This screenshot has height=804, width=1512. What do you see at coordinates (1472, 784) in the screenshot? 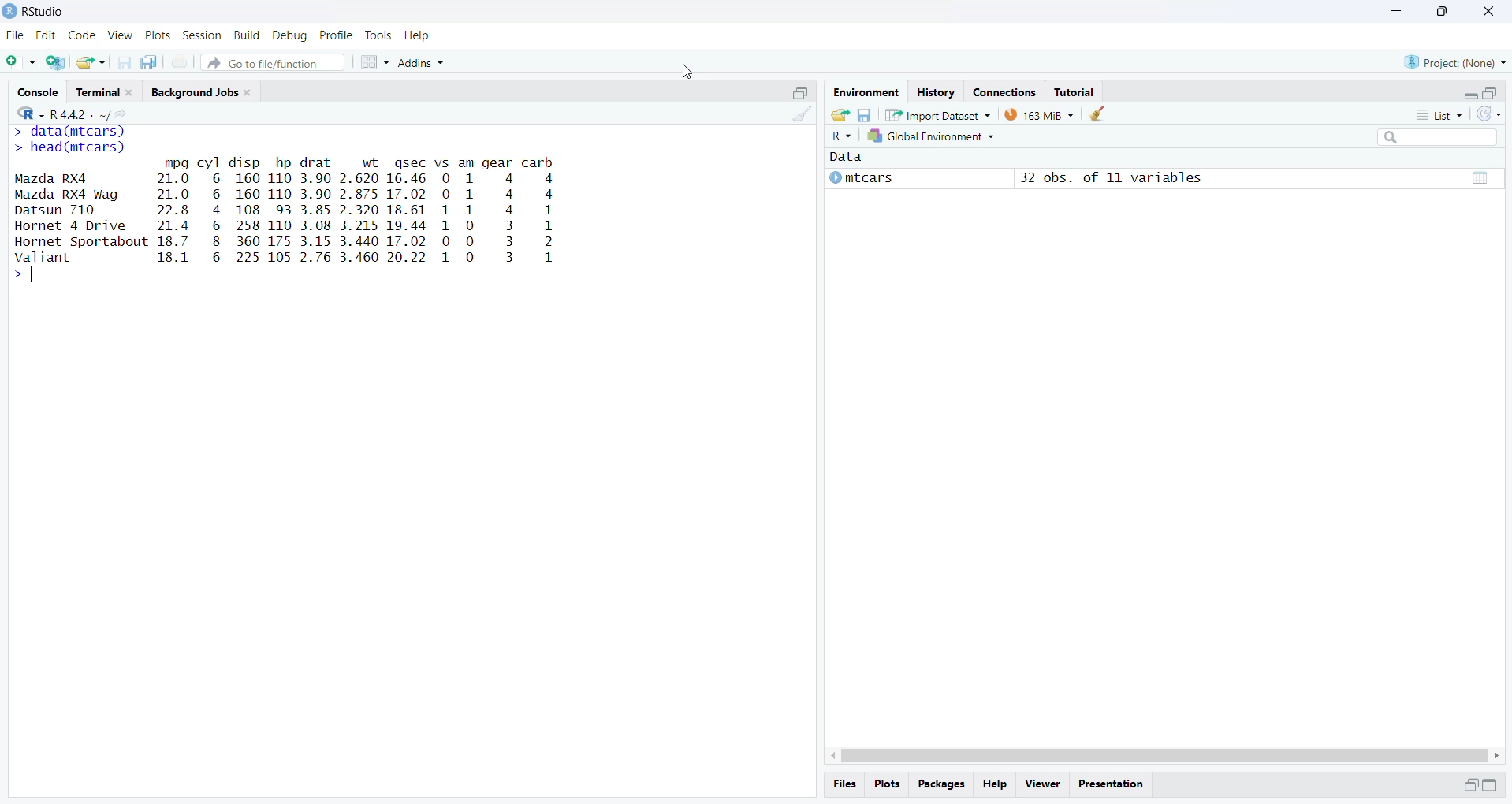
I see `open in separate window` at bounding box center [1472, 784].